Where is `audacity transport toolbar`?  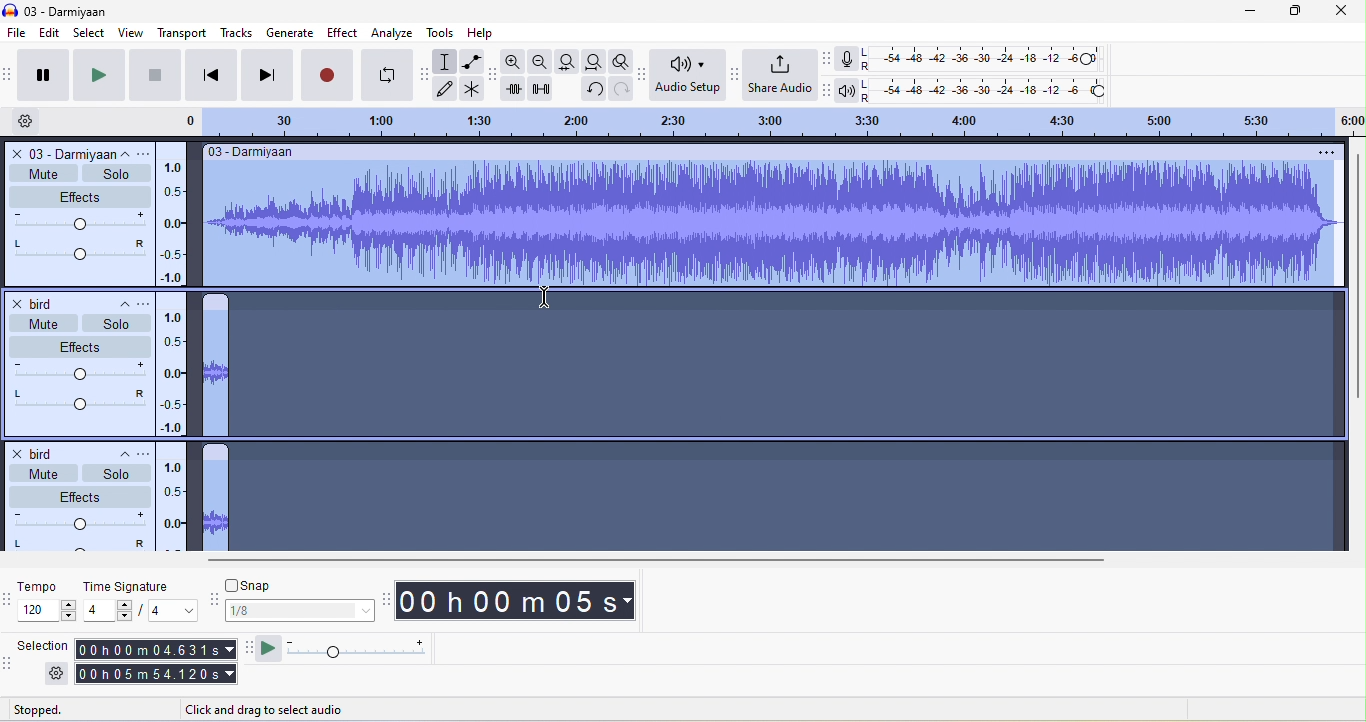 audacity transport toolbar is located at coordinates (9, 74).